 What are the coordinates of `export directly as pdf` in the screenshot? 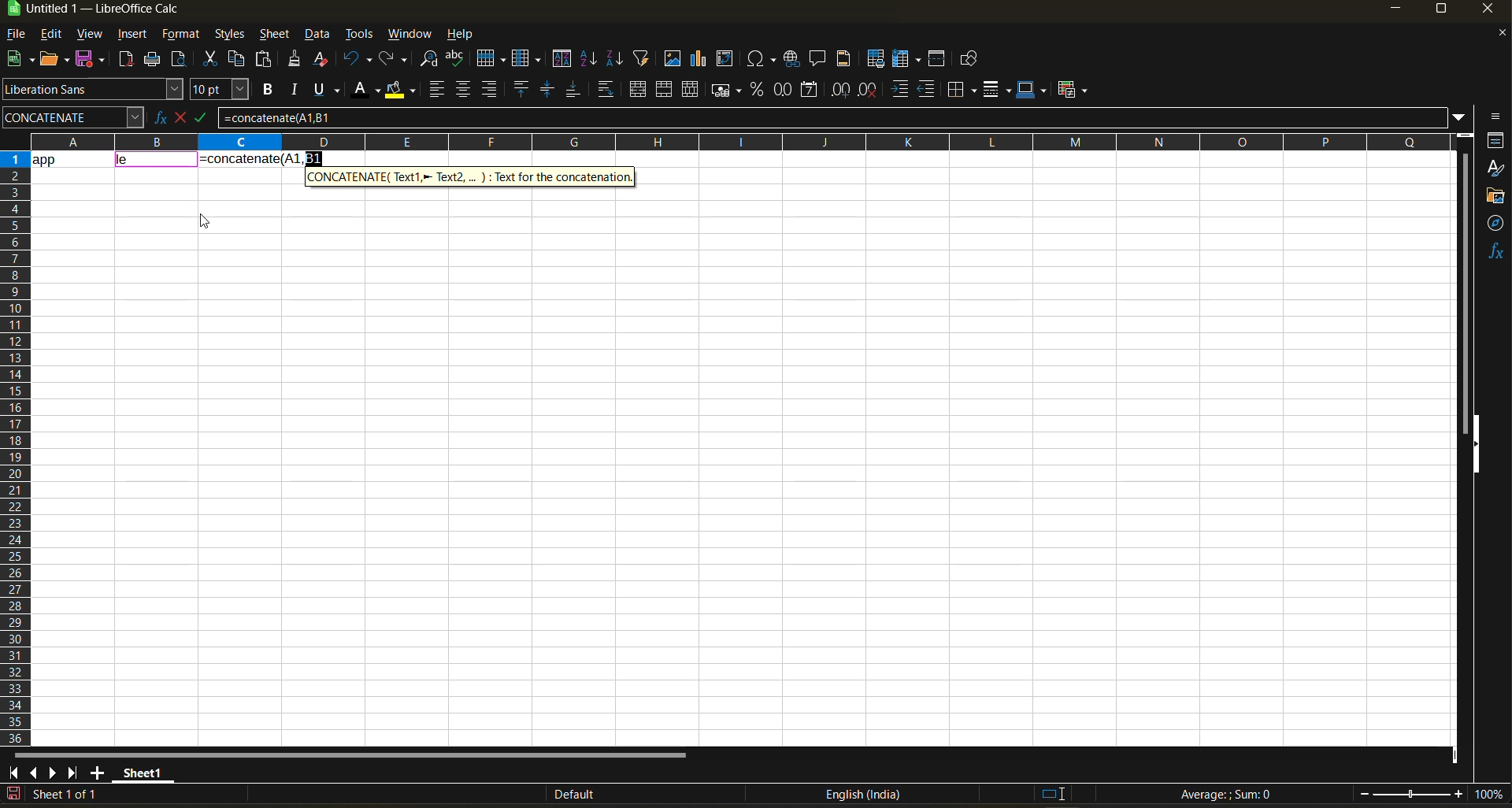 It's located at (125, 61).